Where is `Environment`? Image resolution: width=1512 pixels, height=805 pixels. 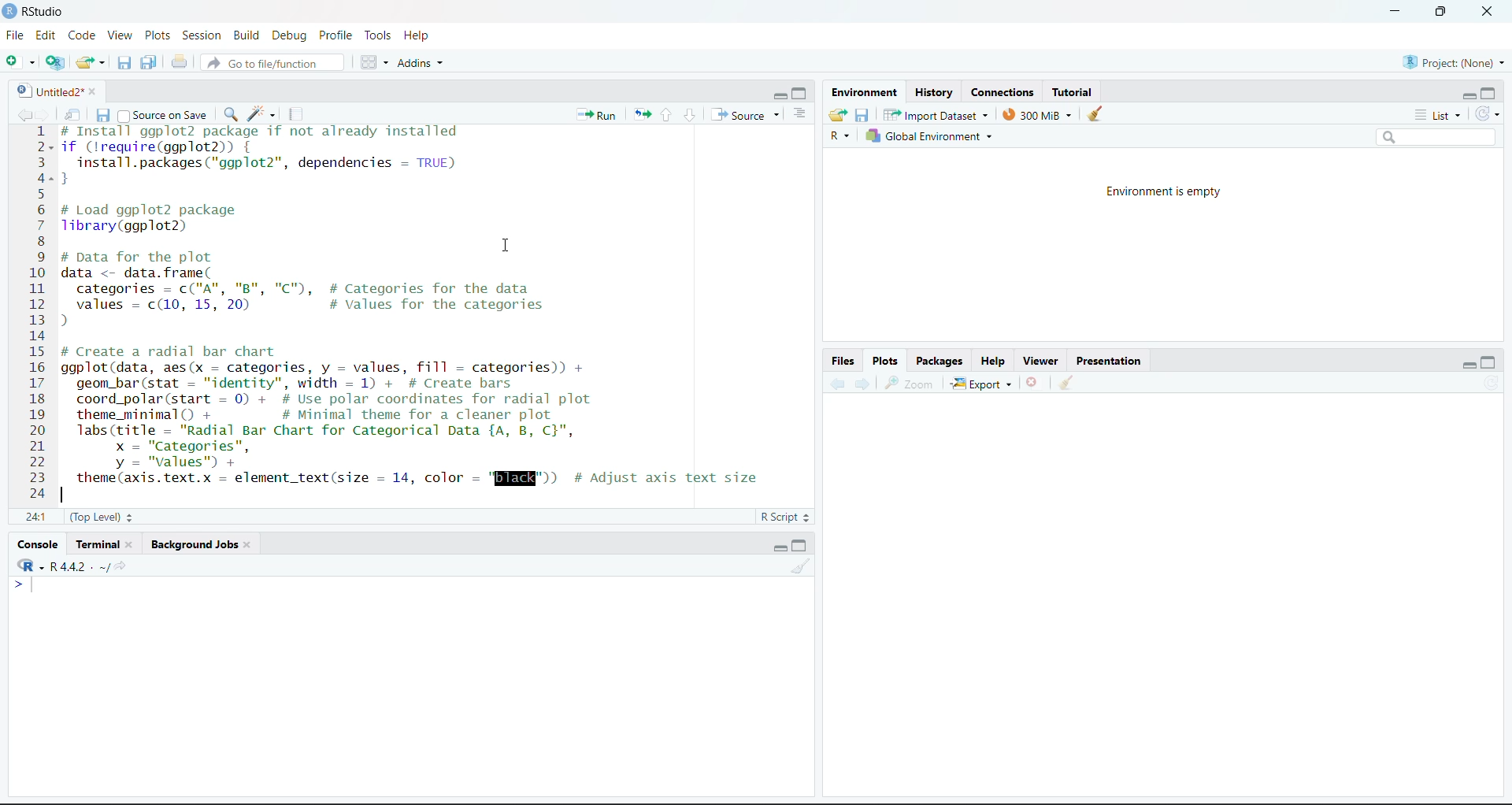
Environment is located at coordinates (862, 94).